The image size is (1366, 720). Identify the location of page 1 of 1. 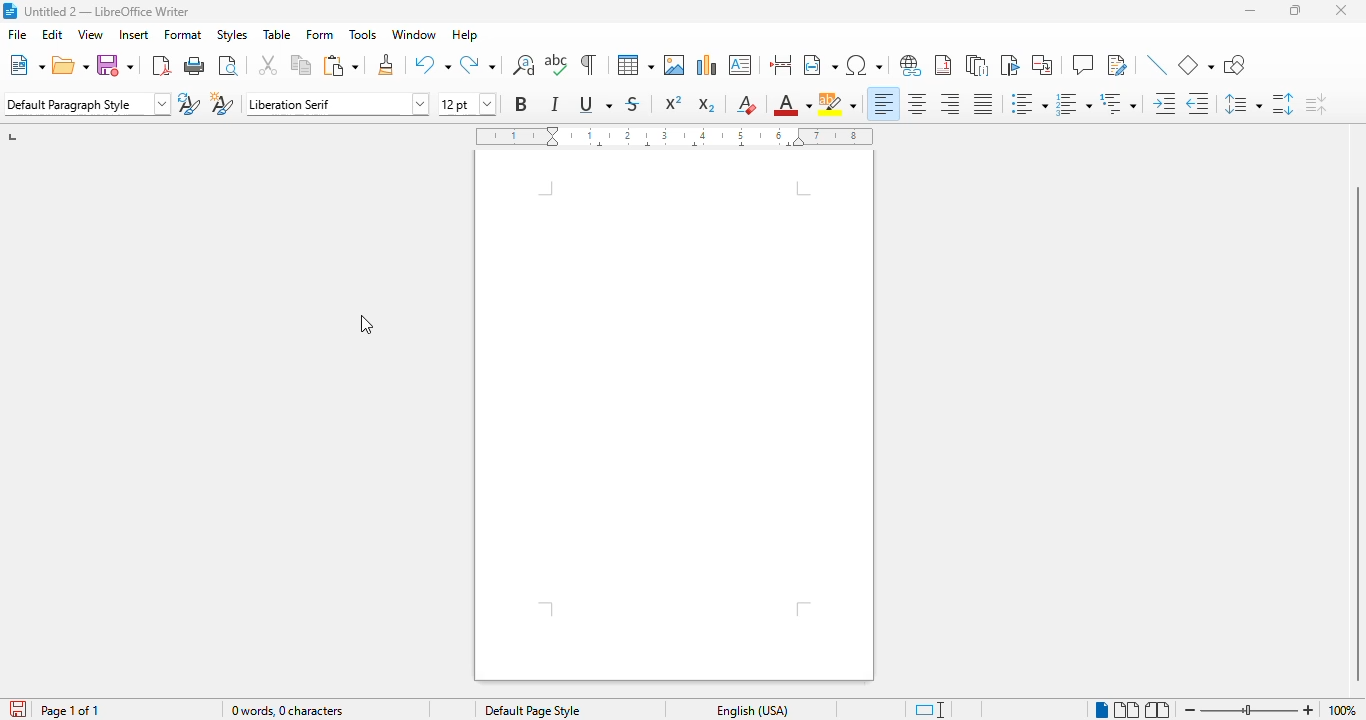
(70, 711).